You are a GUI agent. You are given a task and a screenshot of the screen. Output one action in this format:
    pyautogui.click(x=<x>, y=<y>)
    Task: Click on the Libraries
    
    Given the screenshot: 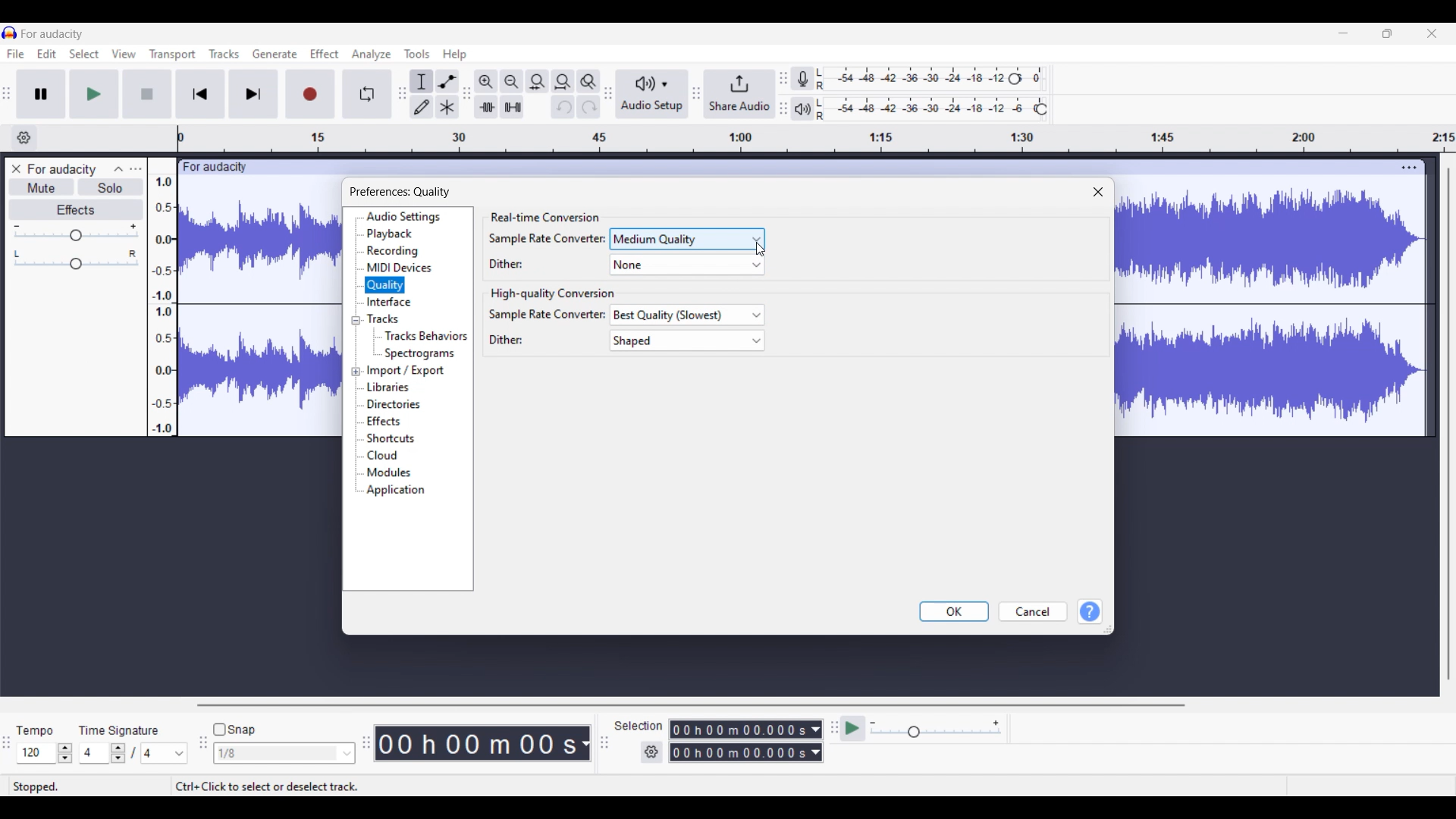 What is the action you would take?
    pyautogui.click(x=389, y=388)
    